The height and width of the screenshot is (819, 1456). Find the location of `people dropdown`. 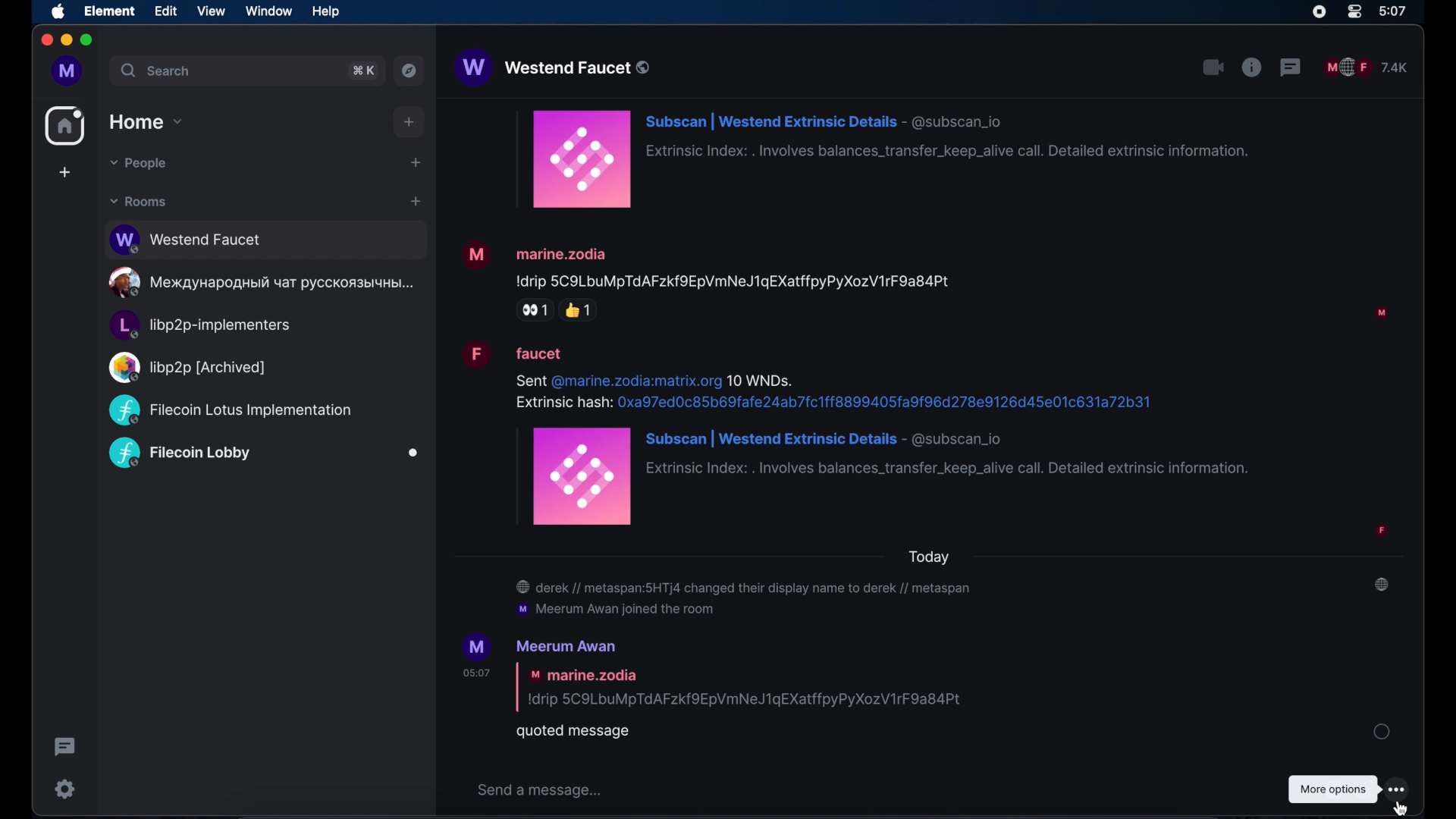

people dropdown is located at coordinates (139, 164).